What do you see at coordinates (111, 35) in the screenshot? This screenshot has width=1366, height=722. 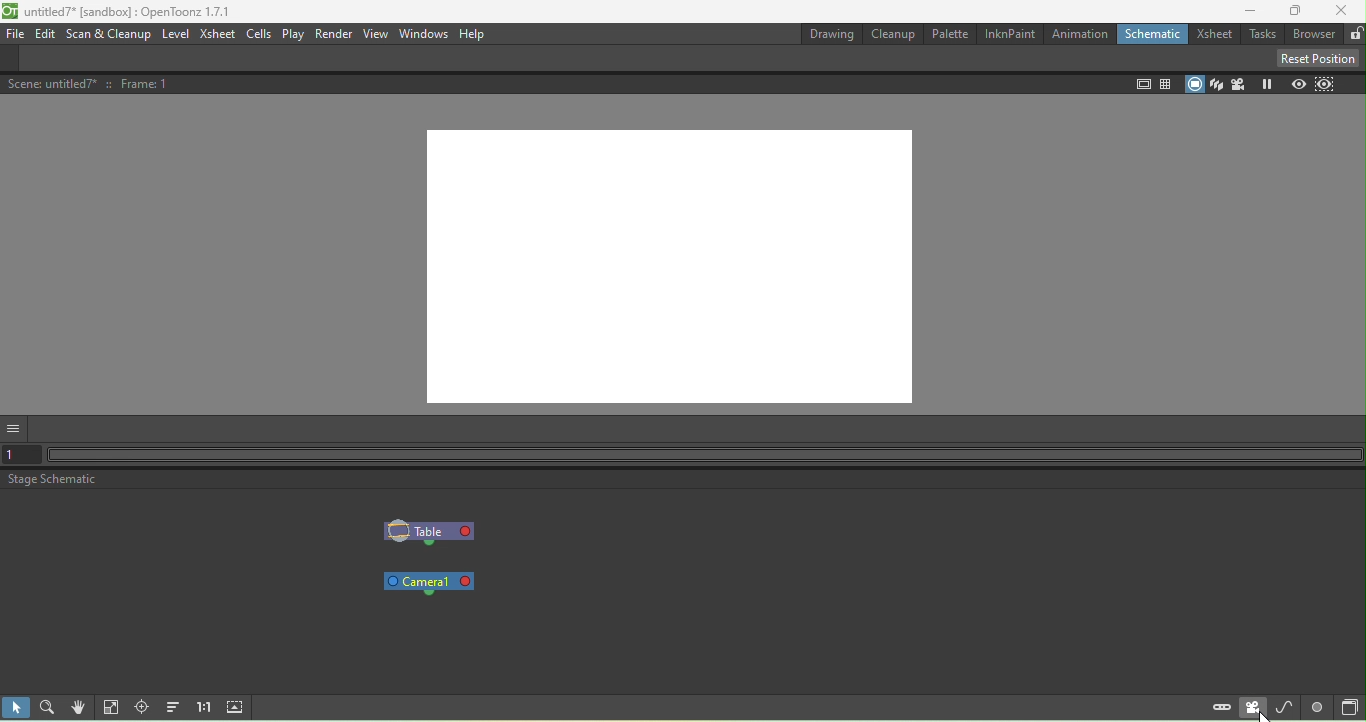 I see `Scan & Cleanup` at bounding box center [111, 35].